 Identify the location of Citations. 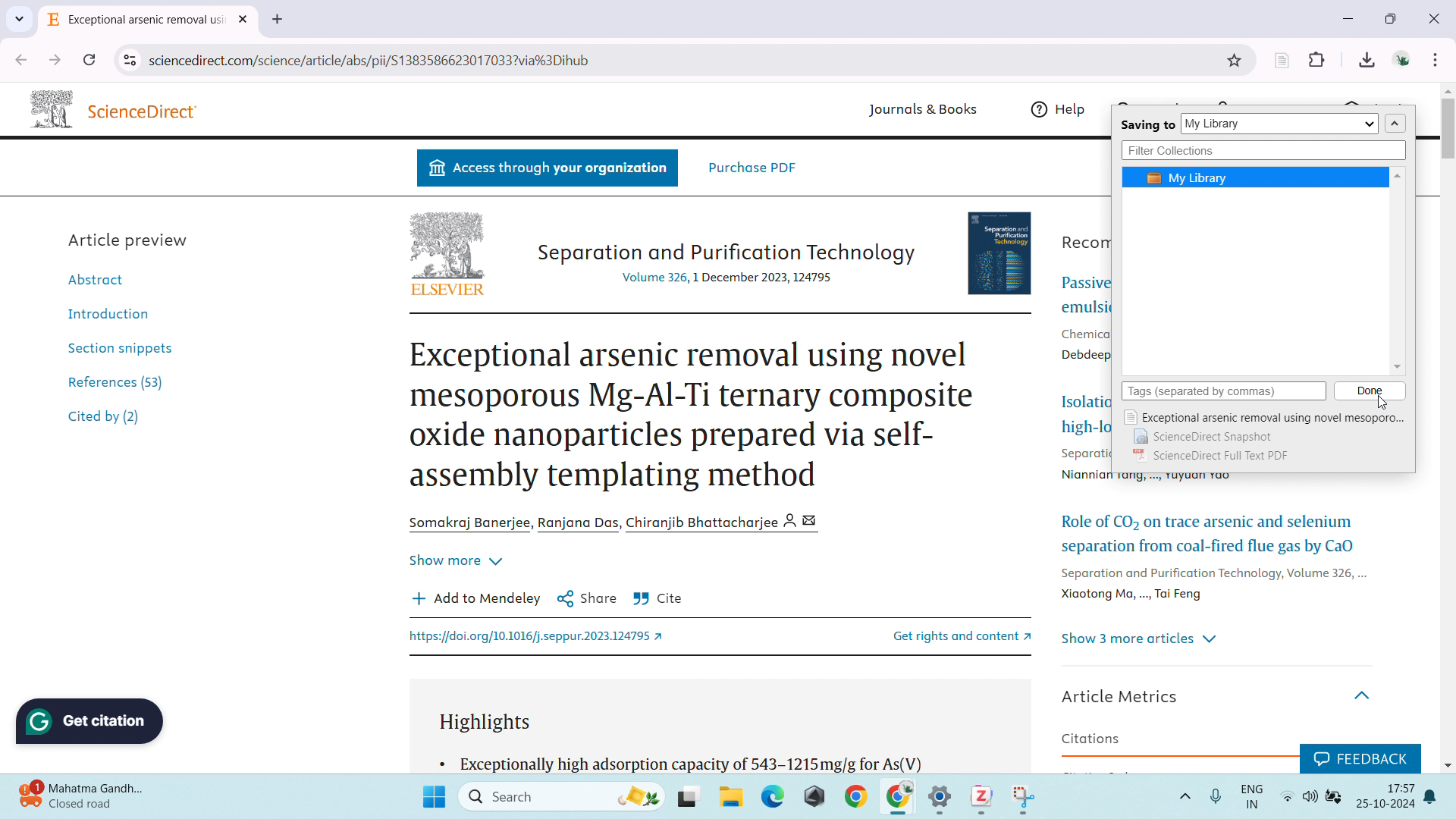
(1091, 739).